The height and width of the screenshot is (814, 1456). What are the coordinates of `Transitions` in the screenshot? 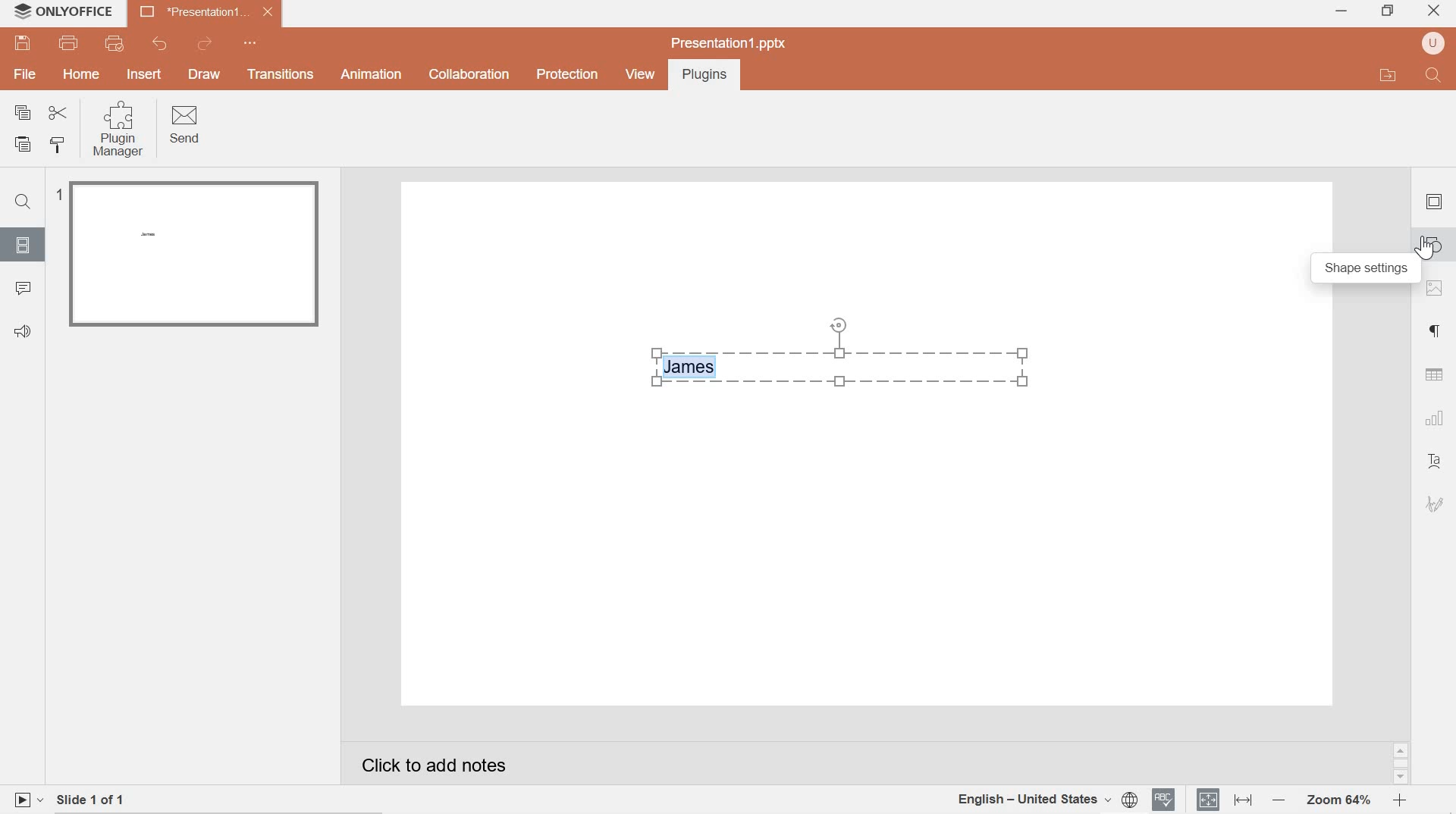 It's located at (281, 75).